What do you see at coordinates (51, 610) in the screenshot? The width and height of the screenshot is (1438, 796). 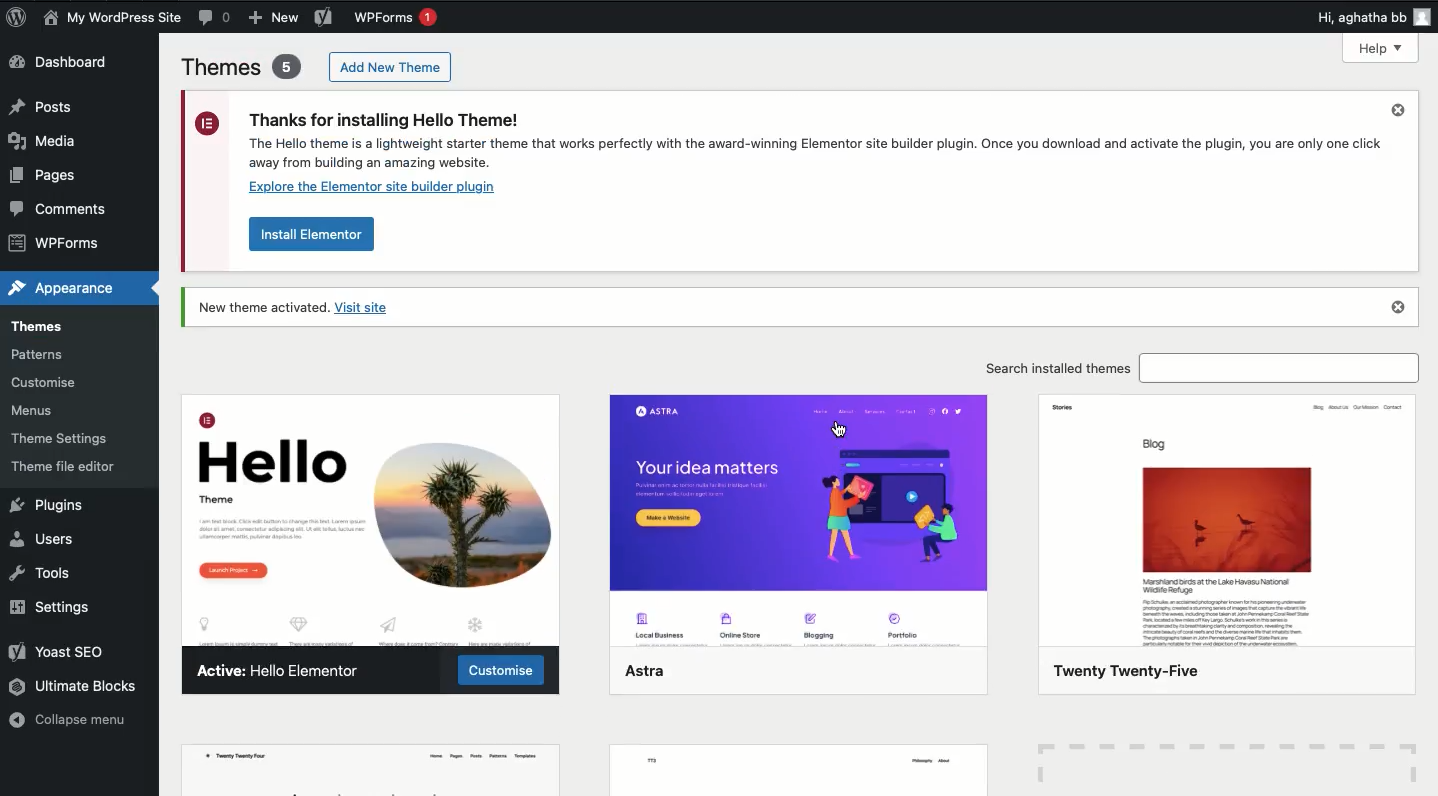 I see `Settings` at bounding box center [51, 610].